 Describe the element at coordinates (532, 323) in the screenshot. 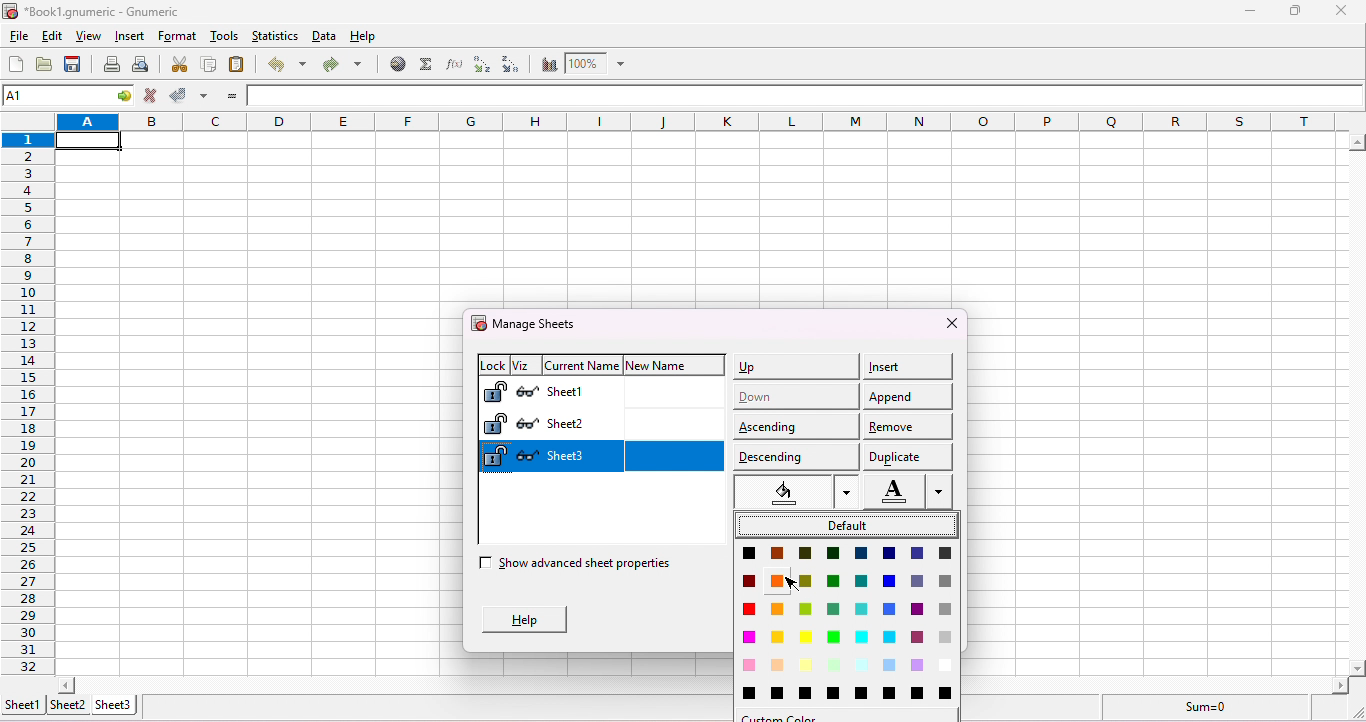

I see `manage sheets` at that location.